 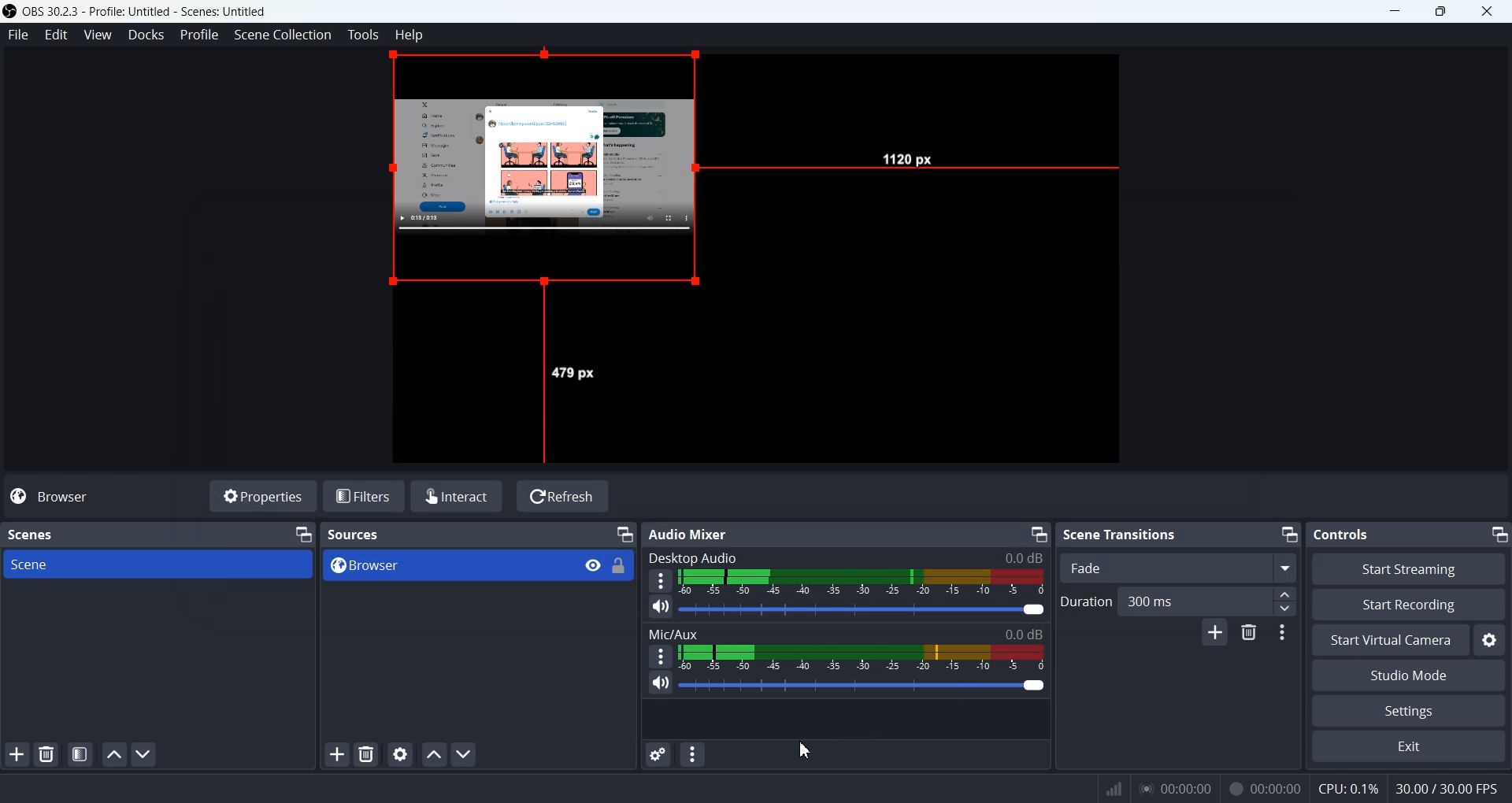 I want to click on Mute / Unmute, so click(x=661, y=683).